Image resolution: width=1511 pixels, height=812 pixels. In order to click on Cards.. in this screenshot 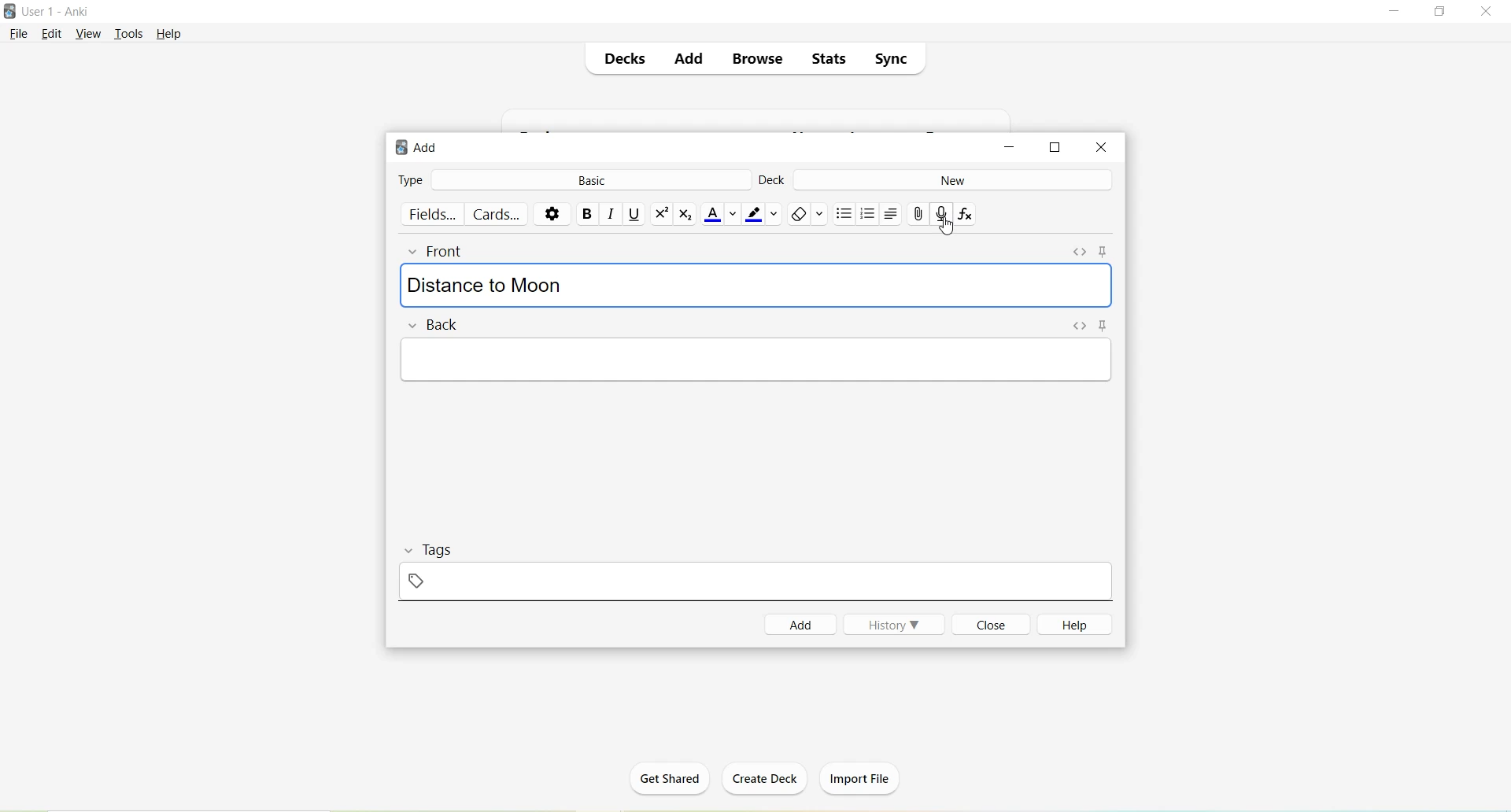, I will do `click(498, 214)`.